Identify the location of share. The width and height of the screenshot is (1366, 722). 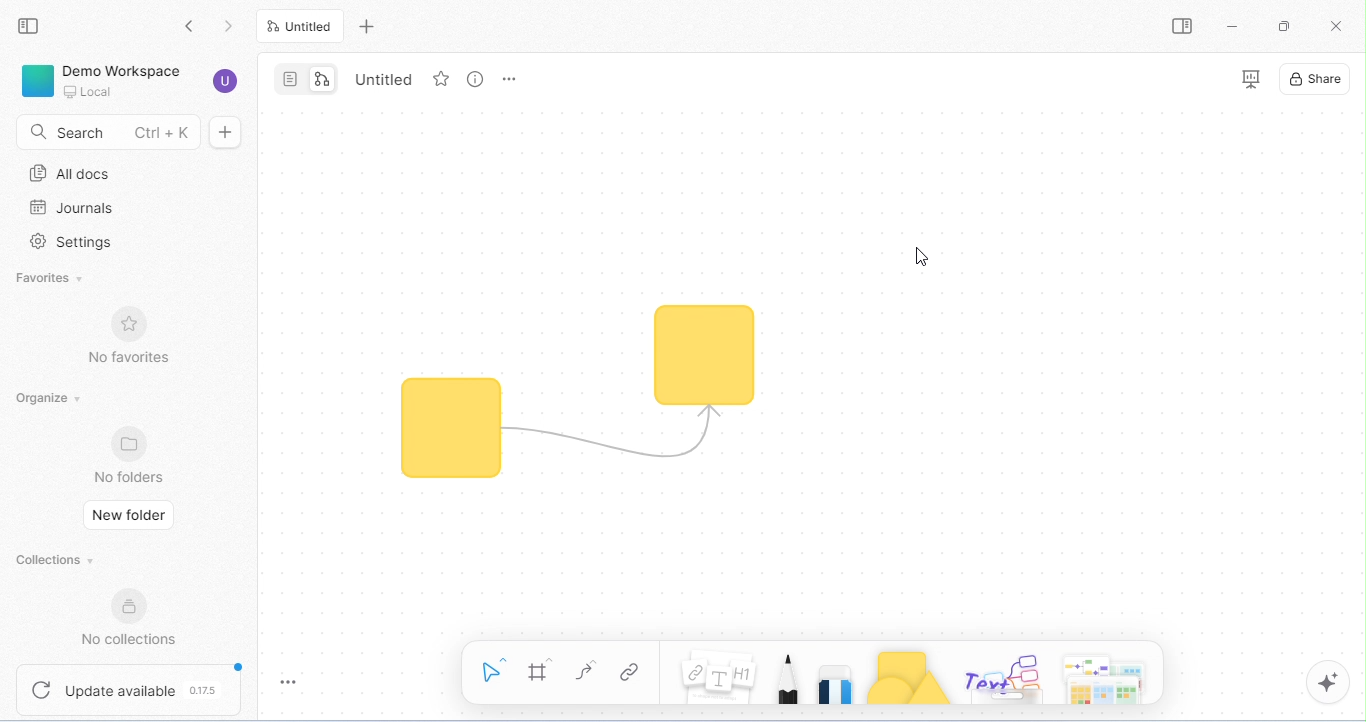
(1319, 81).